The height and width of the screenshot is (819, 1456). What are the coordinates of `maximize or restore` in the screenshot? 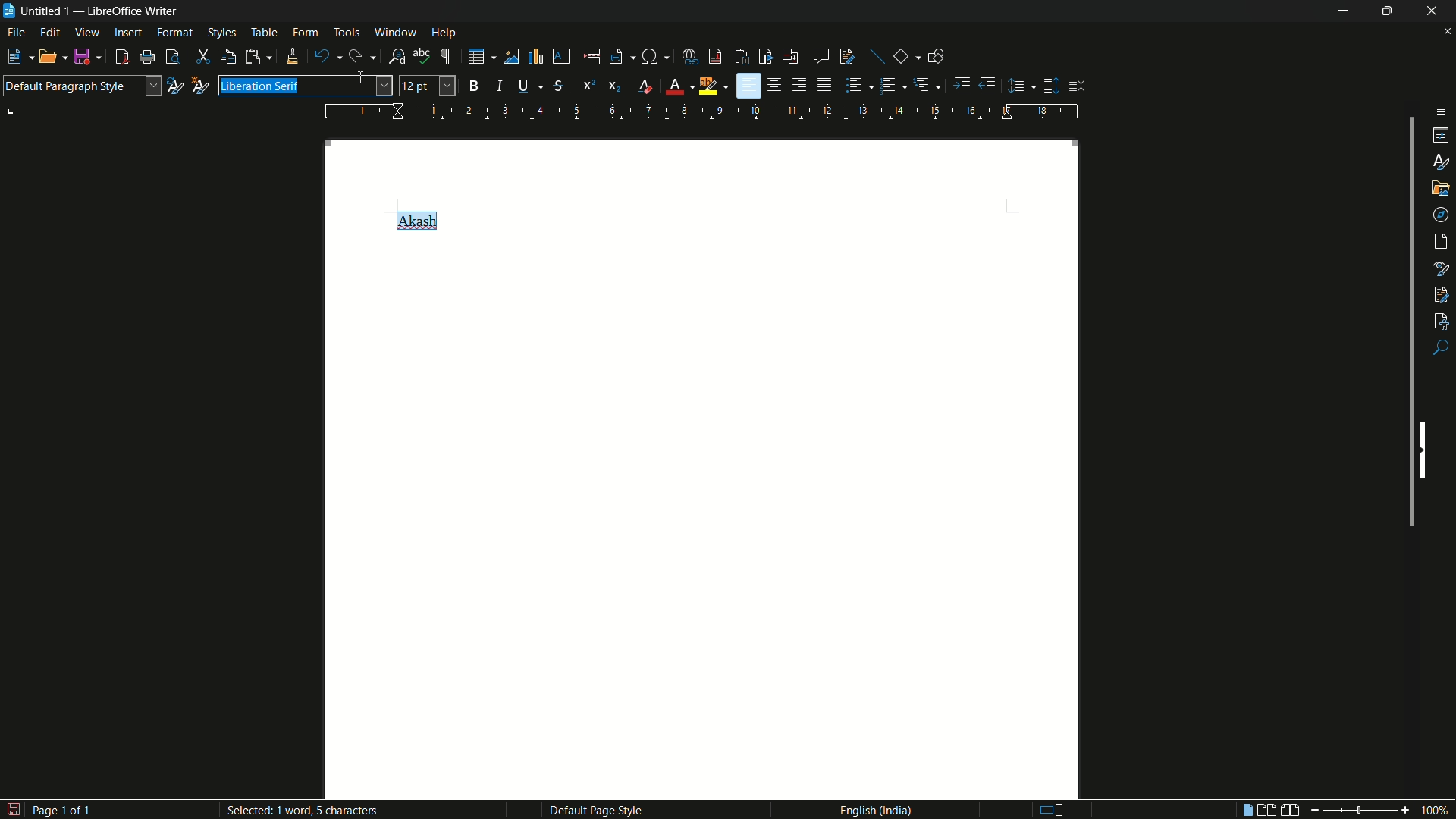 It's located at (1387, 11).